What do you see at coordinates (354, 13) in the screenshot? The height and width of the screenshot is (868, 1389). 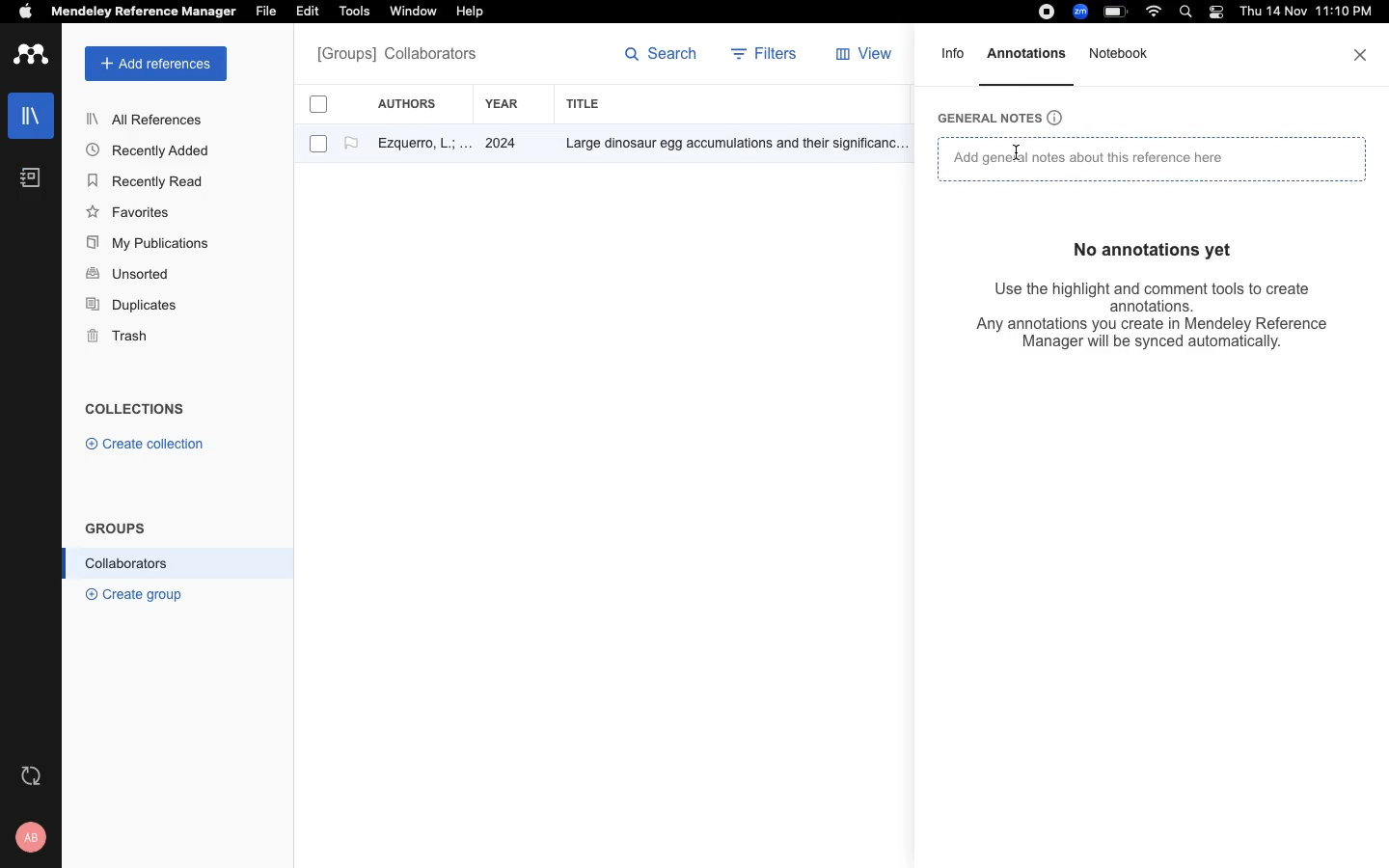 I see `Tools` at bounding box center [354, 13].